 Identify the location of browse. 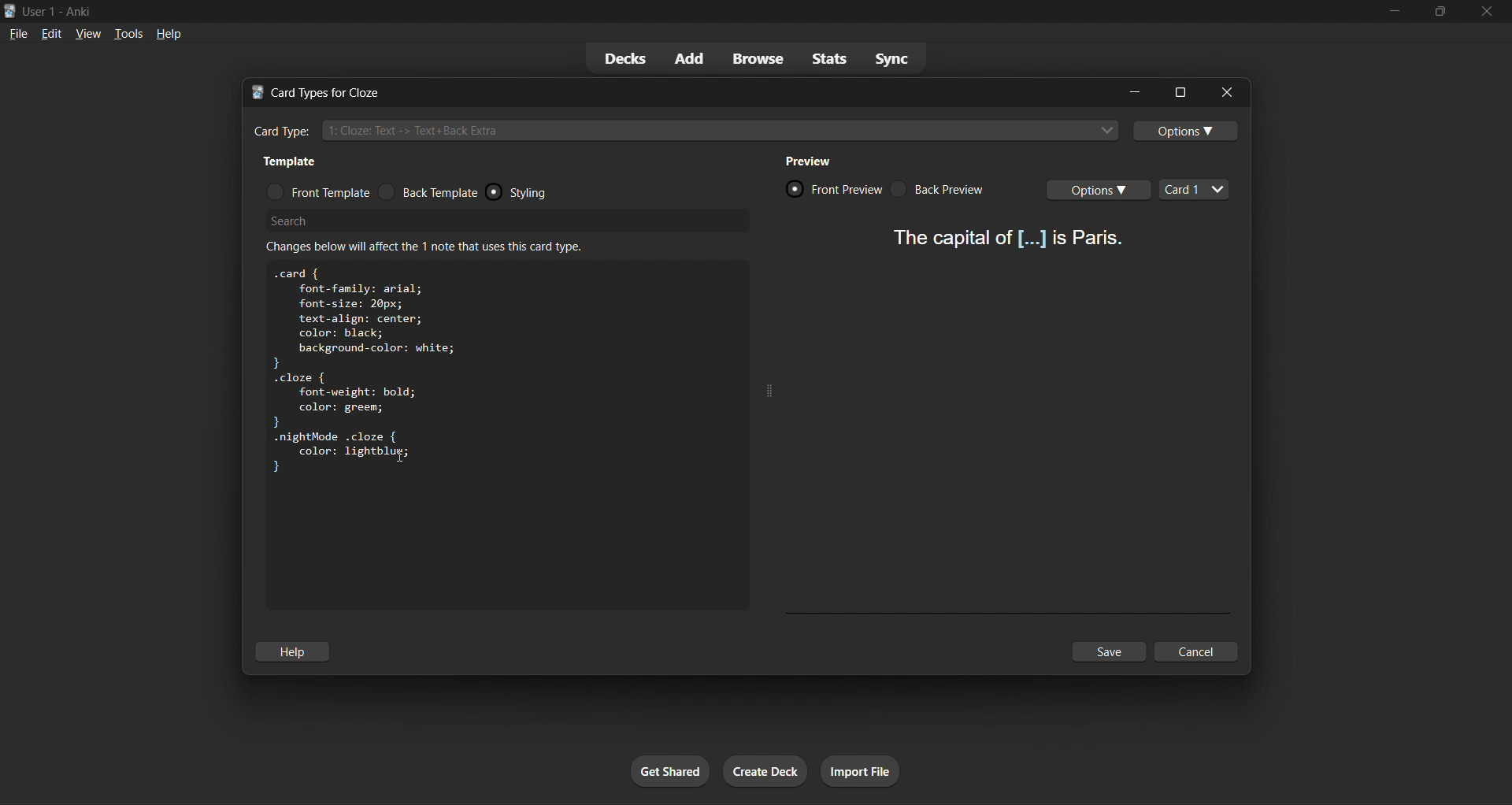
(755, 58).